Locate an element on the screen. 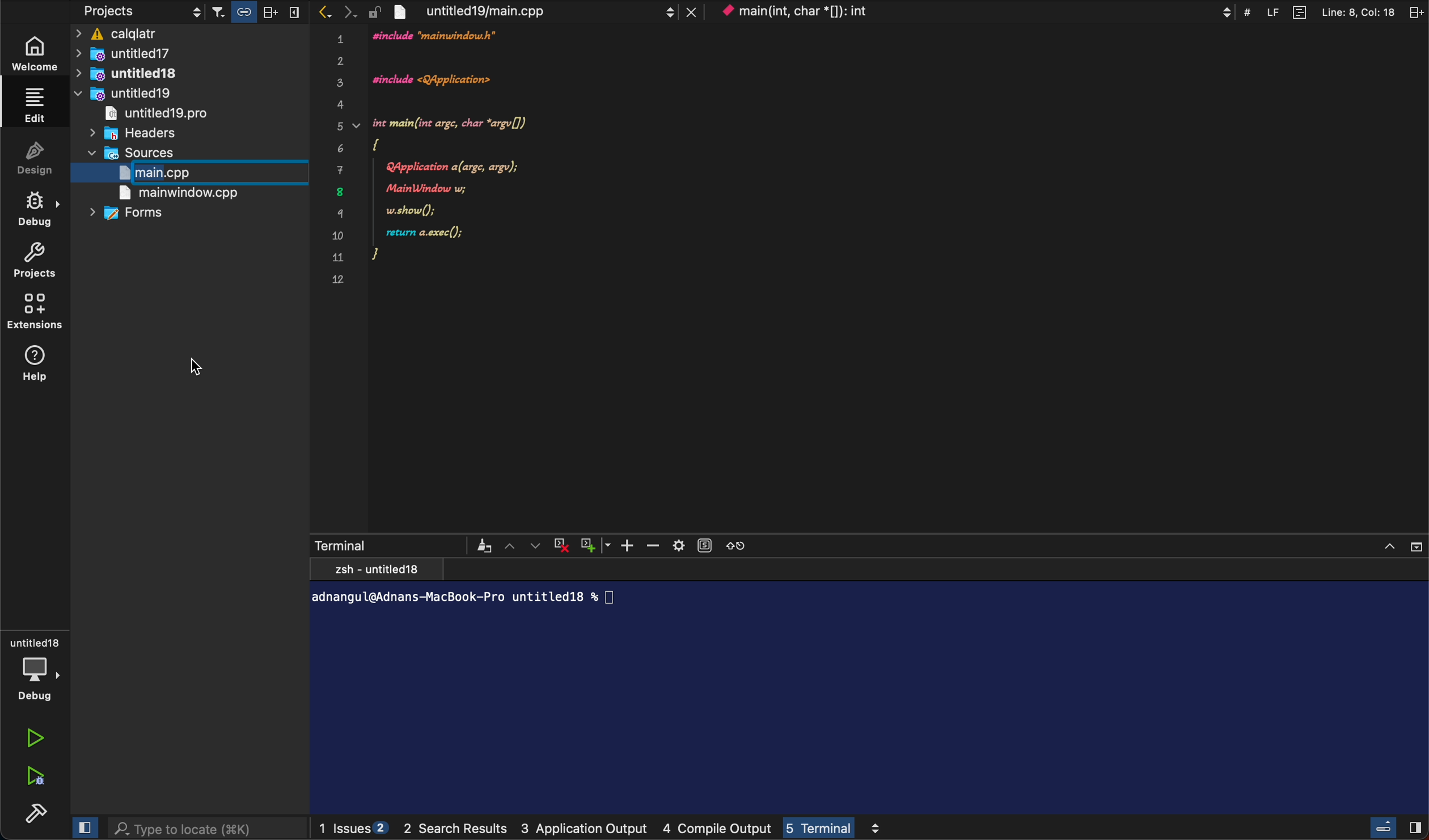 The width and height of the screenshot is (1429, 840). sources is located at coordinates (151, 154).